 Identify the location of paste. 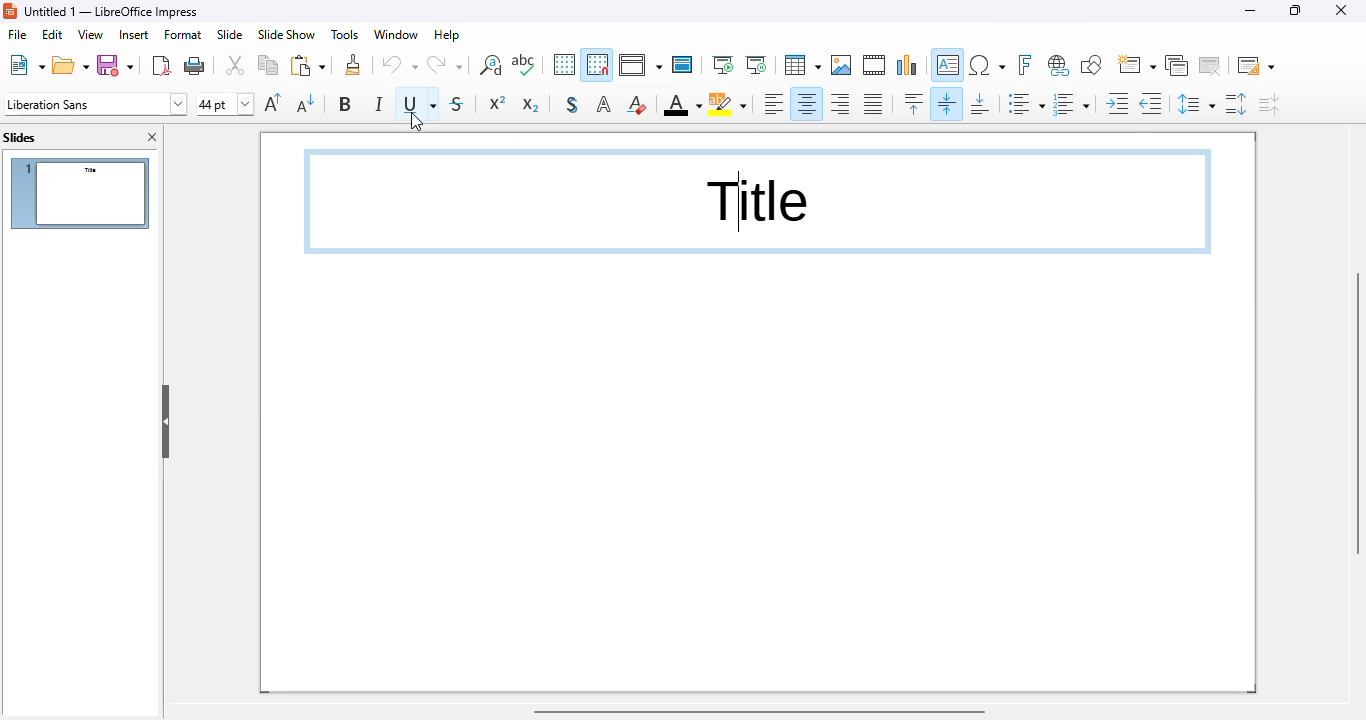
(308, 65).